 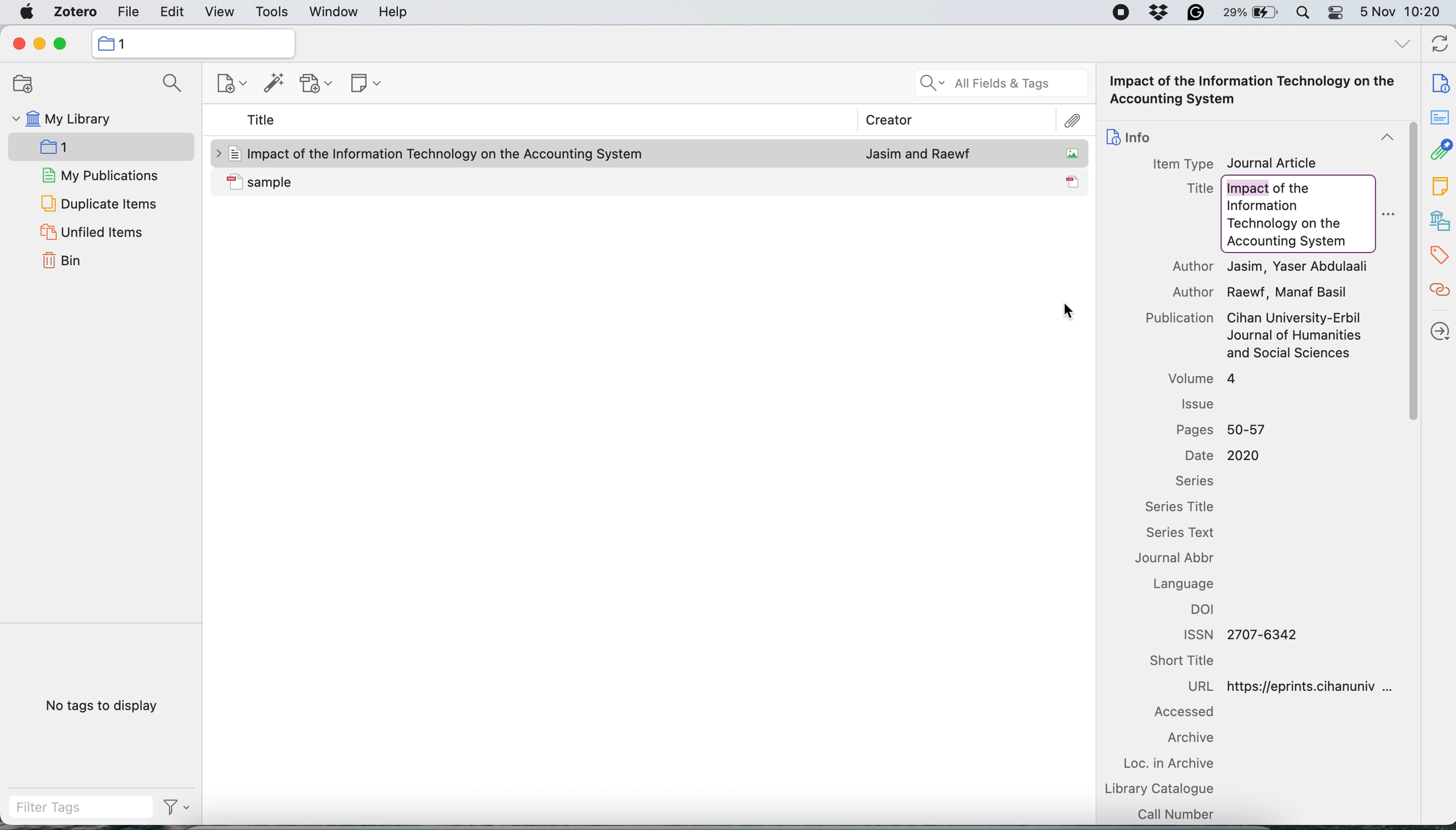 I want to click on filter tags, so click(x=83, y=808).